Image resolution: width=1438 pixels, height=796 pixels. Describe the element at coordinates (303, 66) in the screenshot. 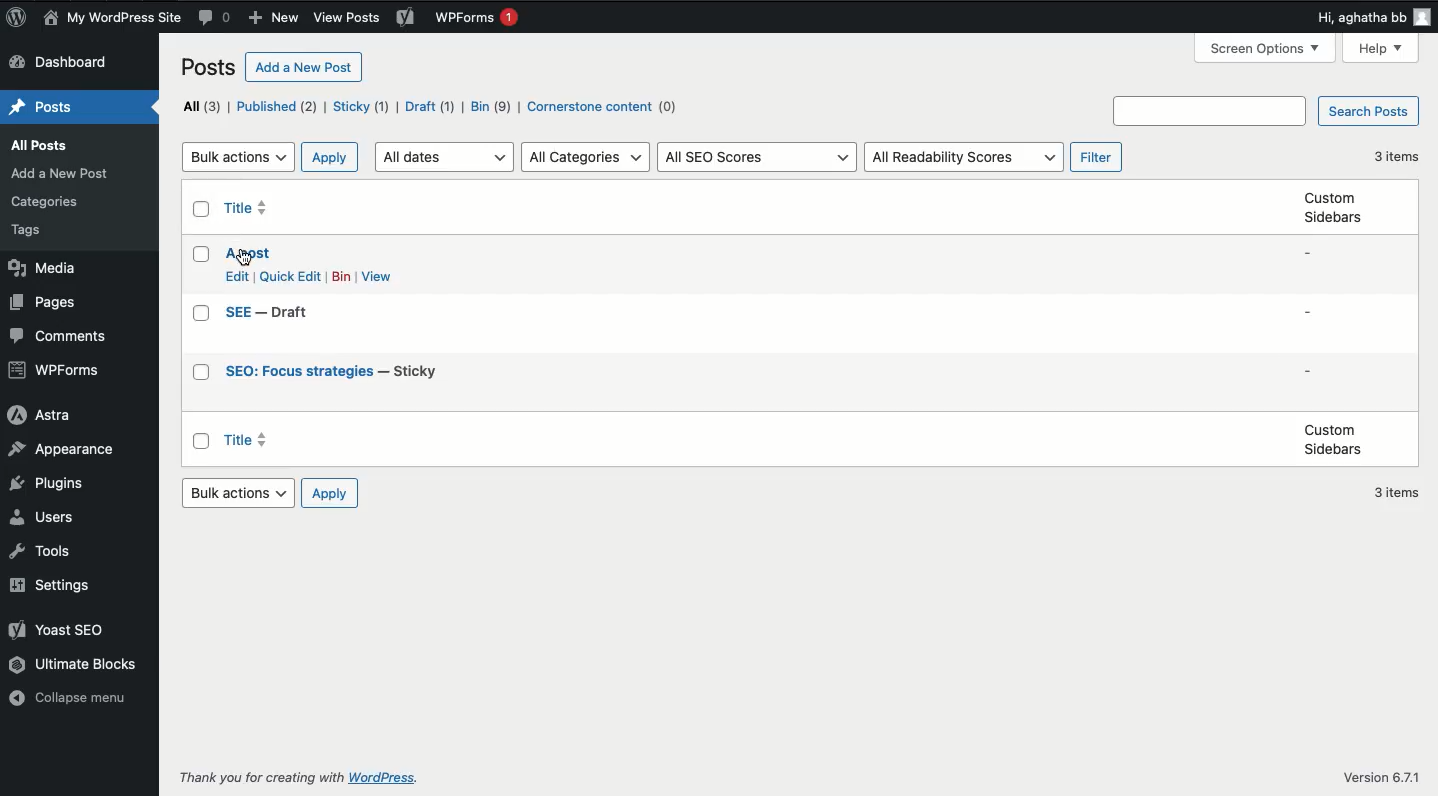

I see `Add a new post` at that location.